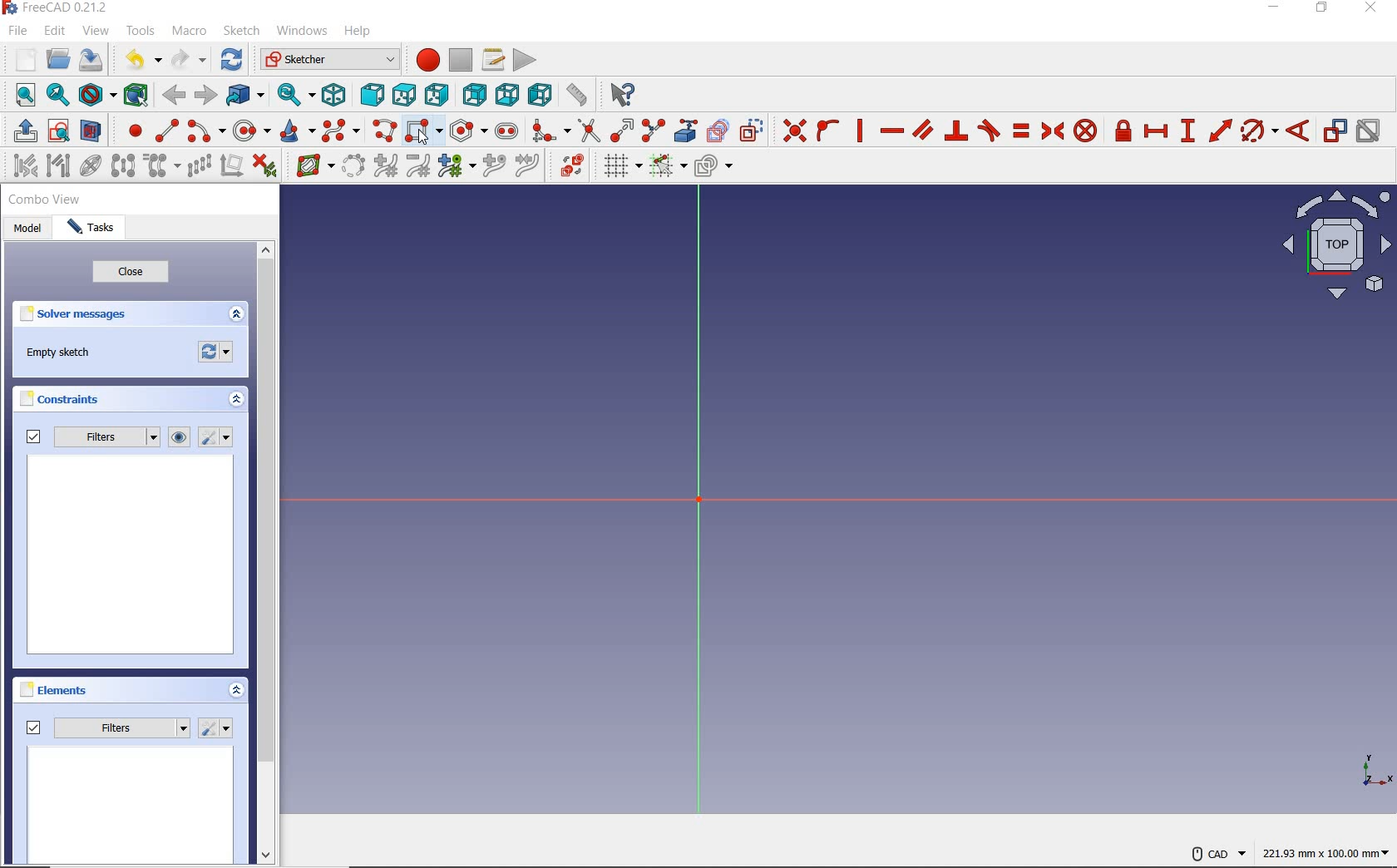 This screenshot has width=1397, height=868. I want to click on save, so click(94, 62).